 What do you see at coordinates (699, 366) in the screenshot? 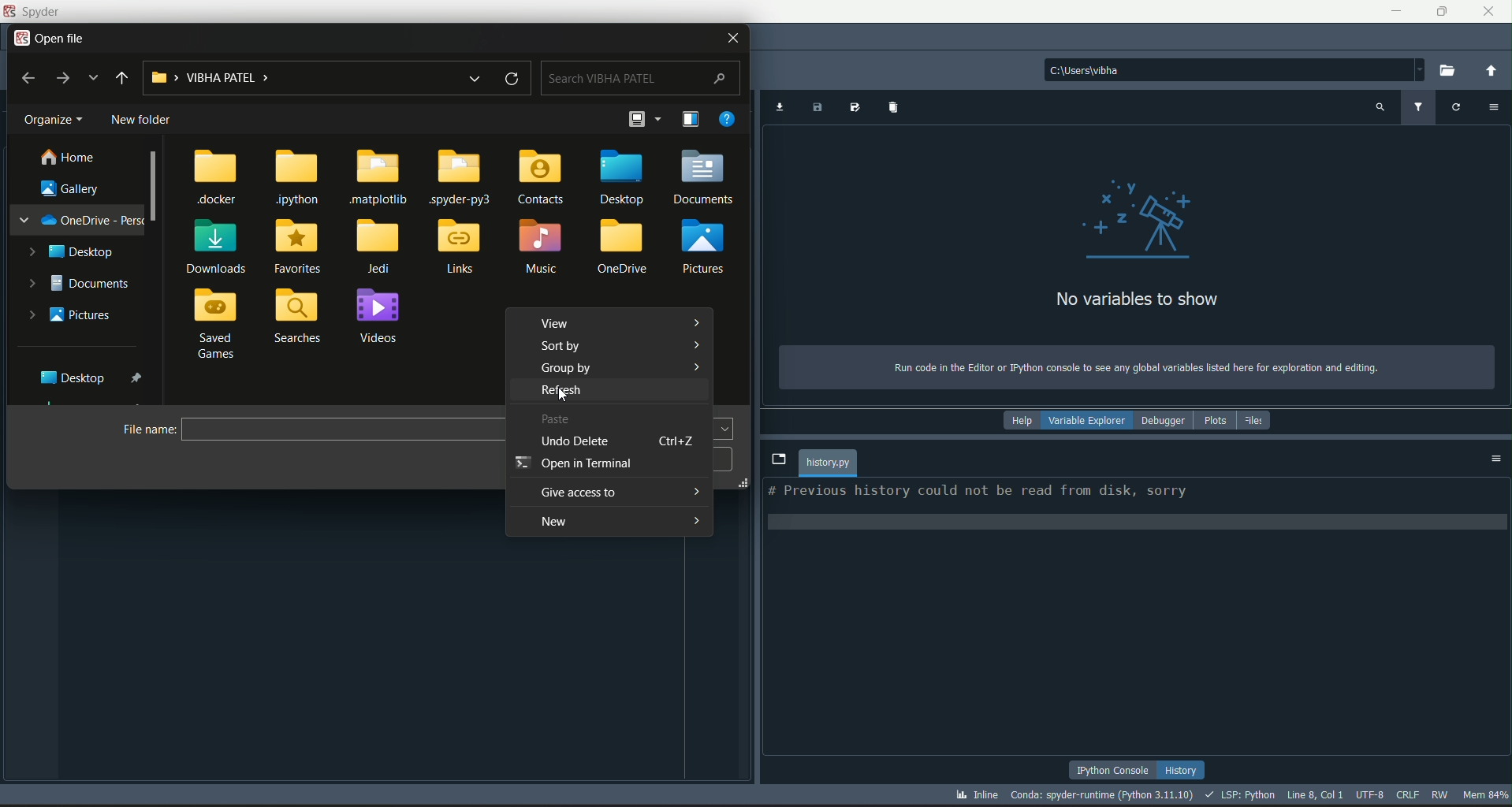
I see `arrow` at bounding box center [699, 366].